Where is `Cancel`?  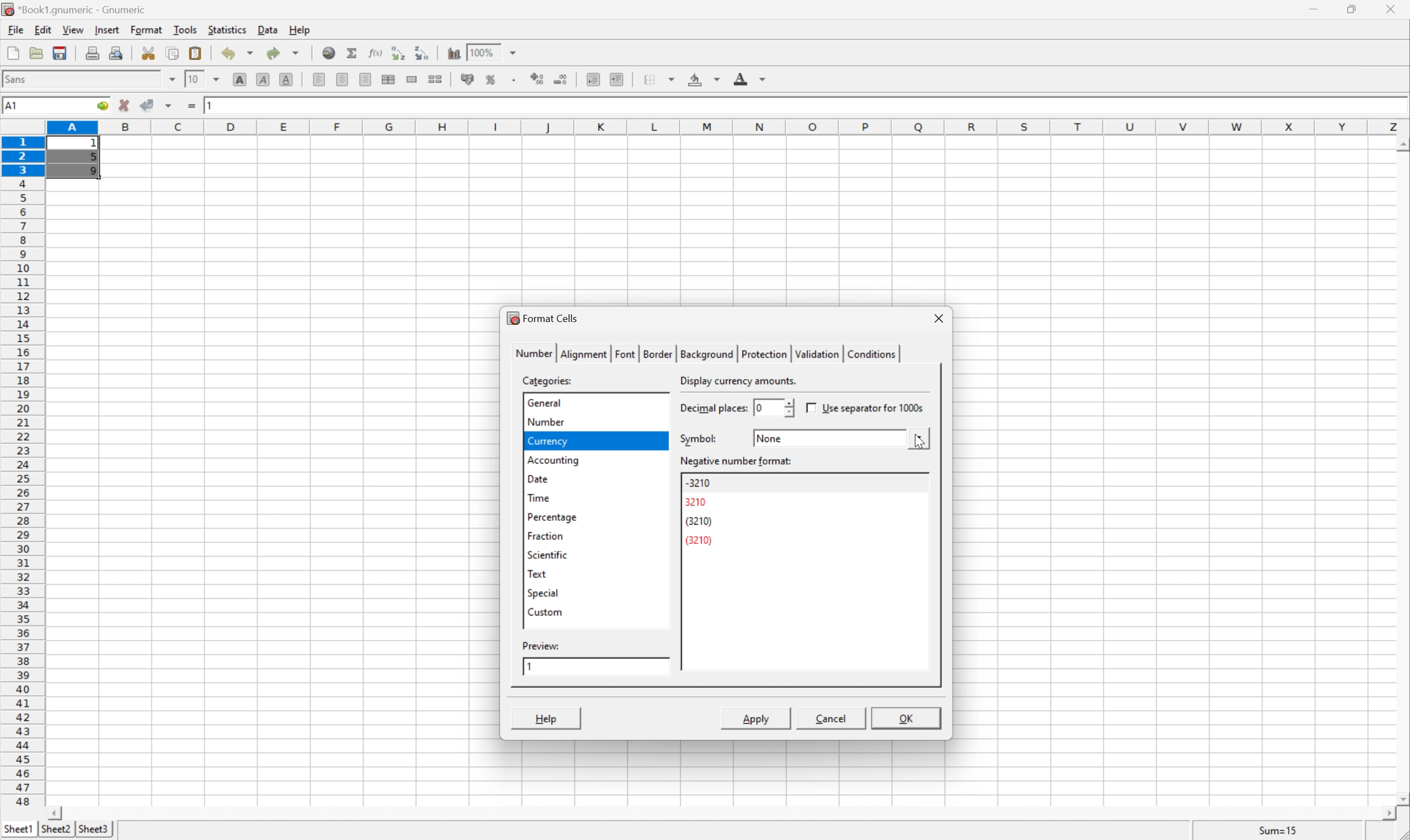
Cancel is located at coordinates (830, 717).